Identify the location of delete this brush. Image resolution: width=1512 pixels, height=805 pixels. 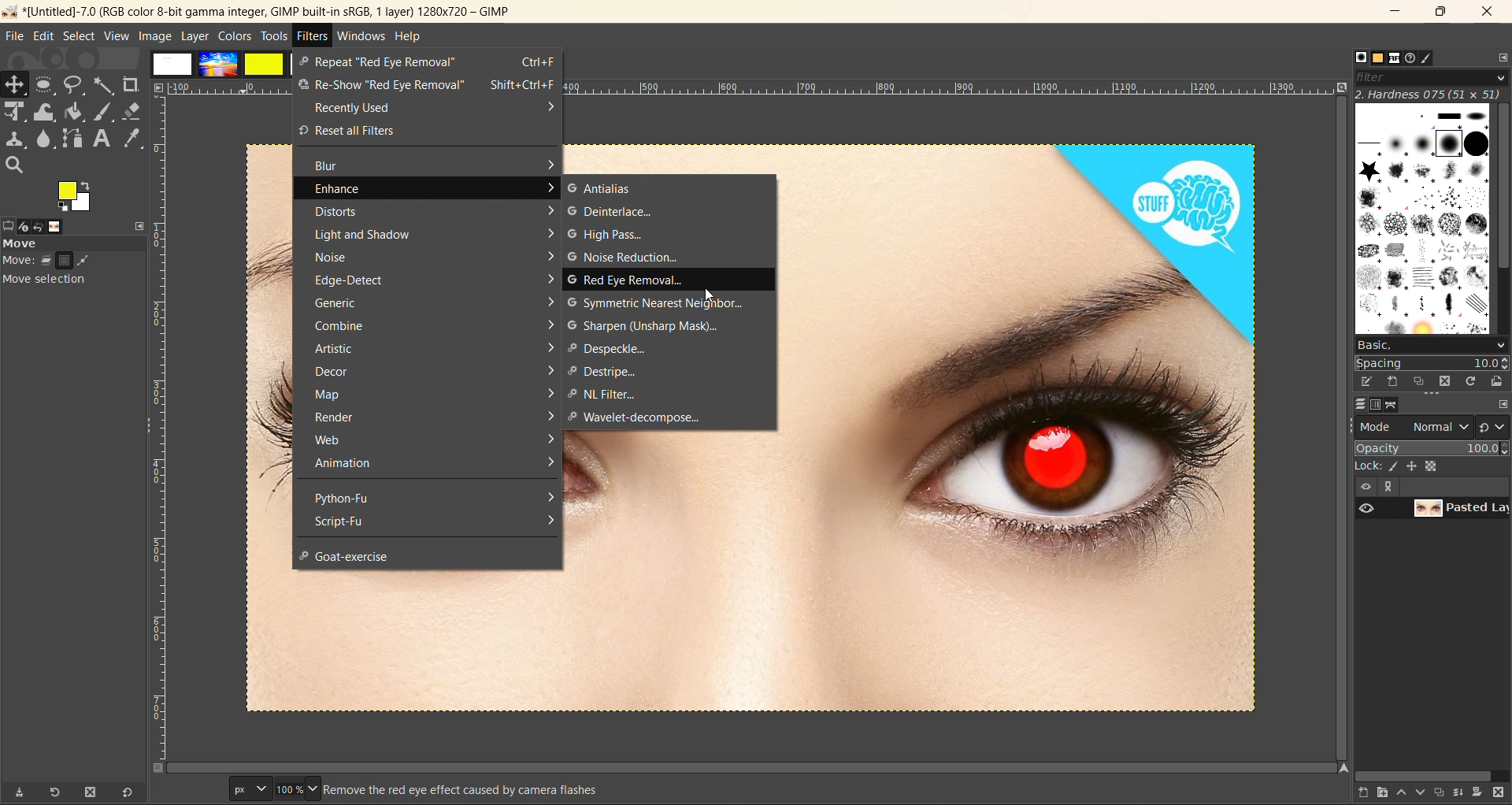
(1442, 382).